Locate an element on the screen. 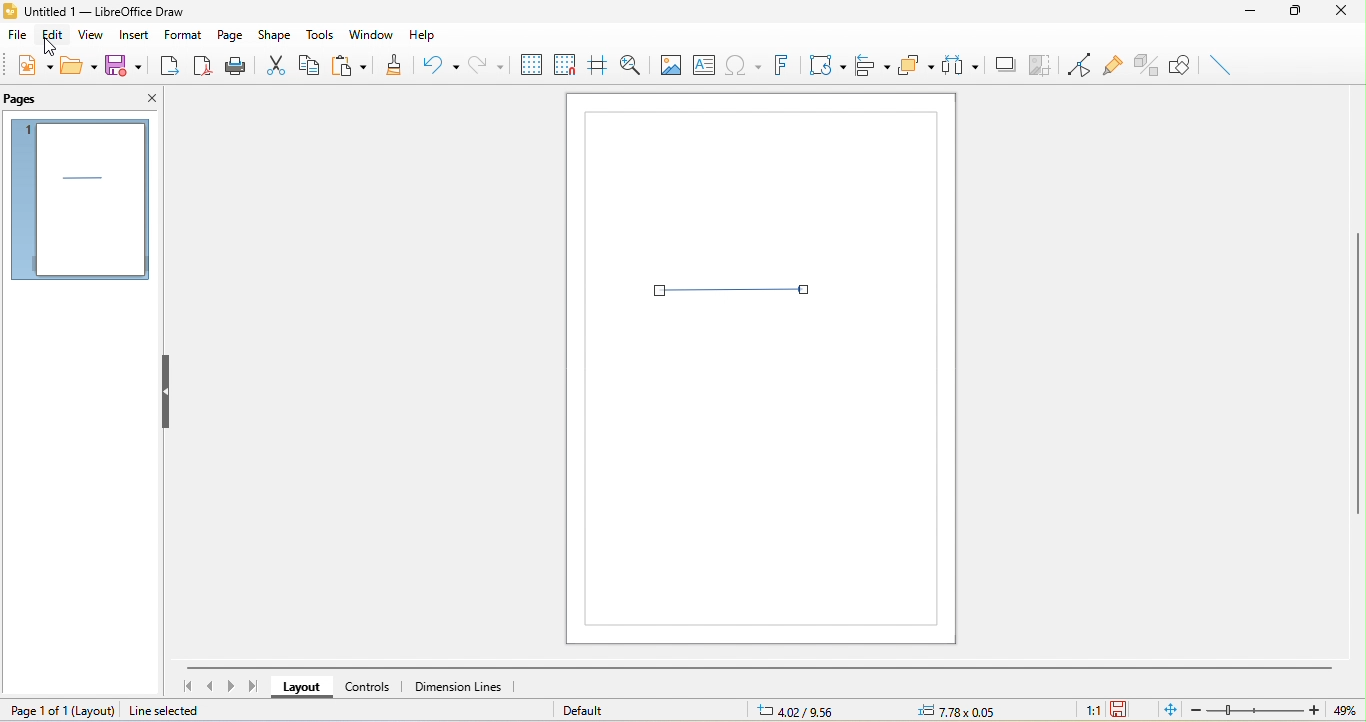 Image resolution: width=1366 pixels, height=722 pixels. zoom is located at coordinates (1269, 710).